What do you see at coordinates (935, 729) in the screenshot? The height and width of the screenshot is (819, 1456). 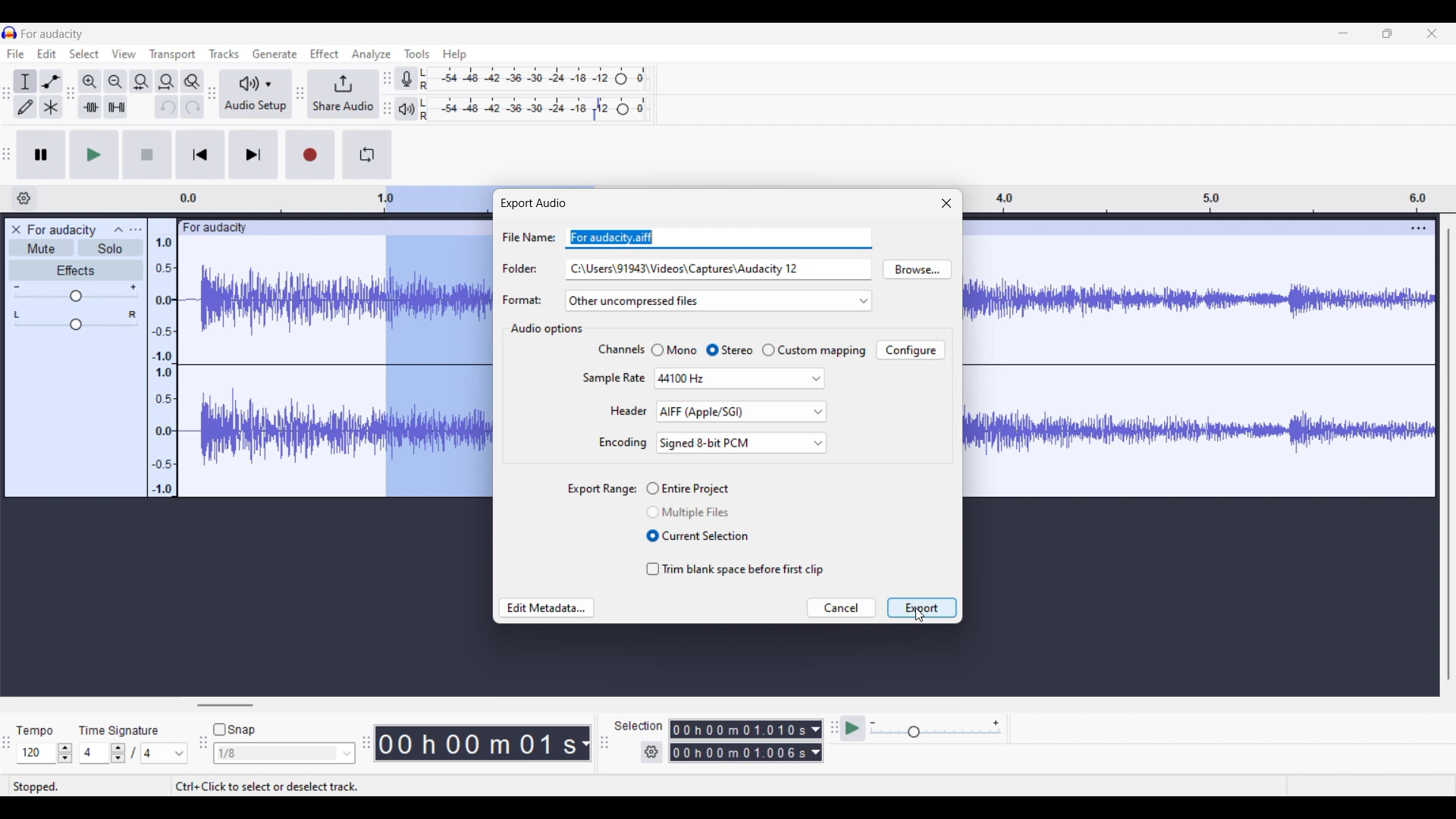 I see `Playback speed scale` at bounding box center [935, 729].